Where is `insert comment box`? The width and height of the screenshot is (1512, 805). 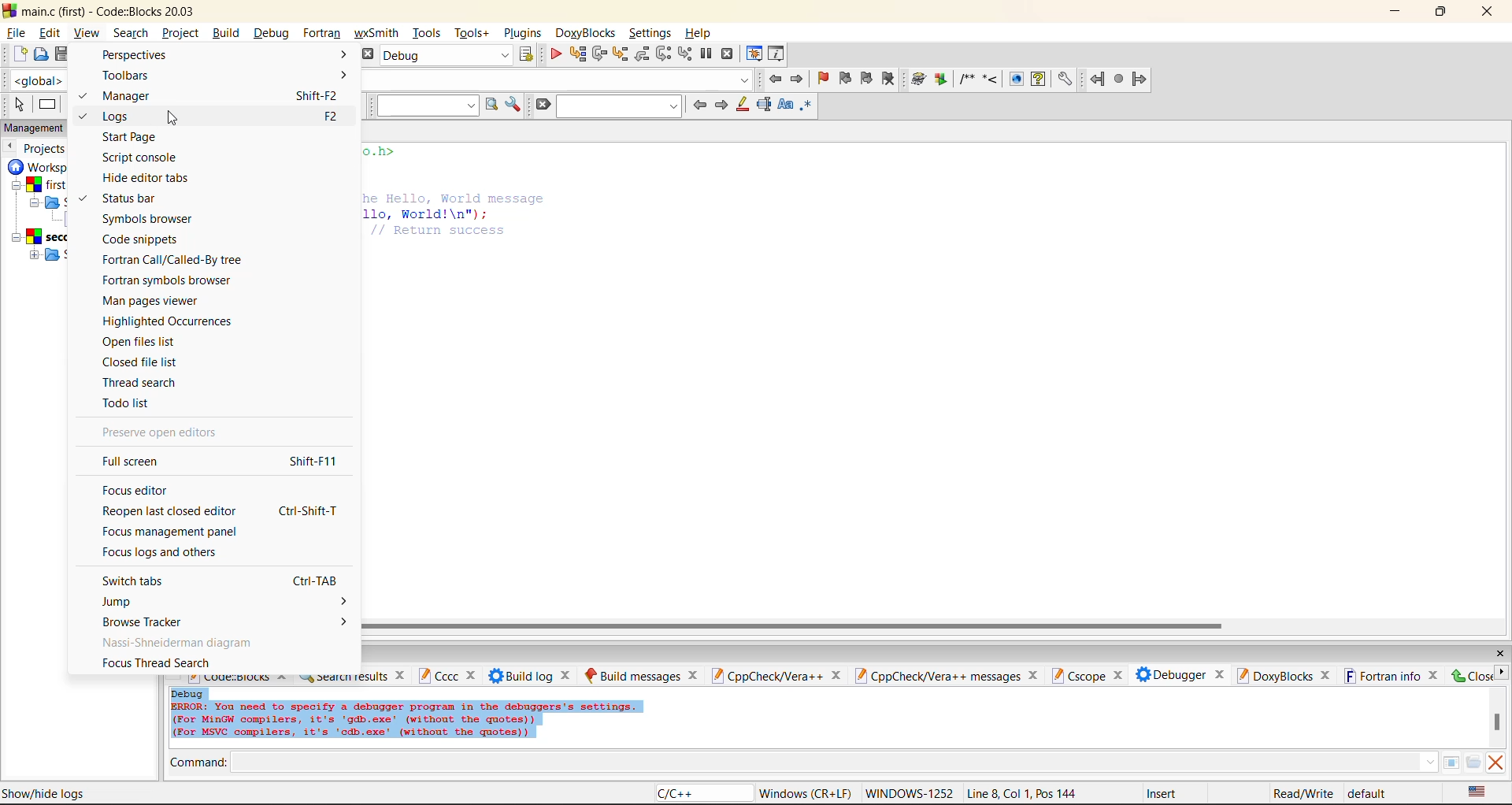
insert comment box is located at coordinates (966, 80).